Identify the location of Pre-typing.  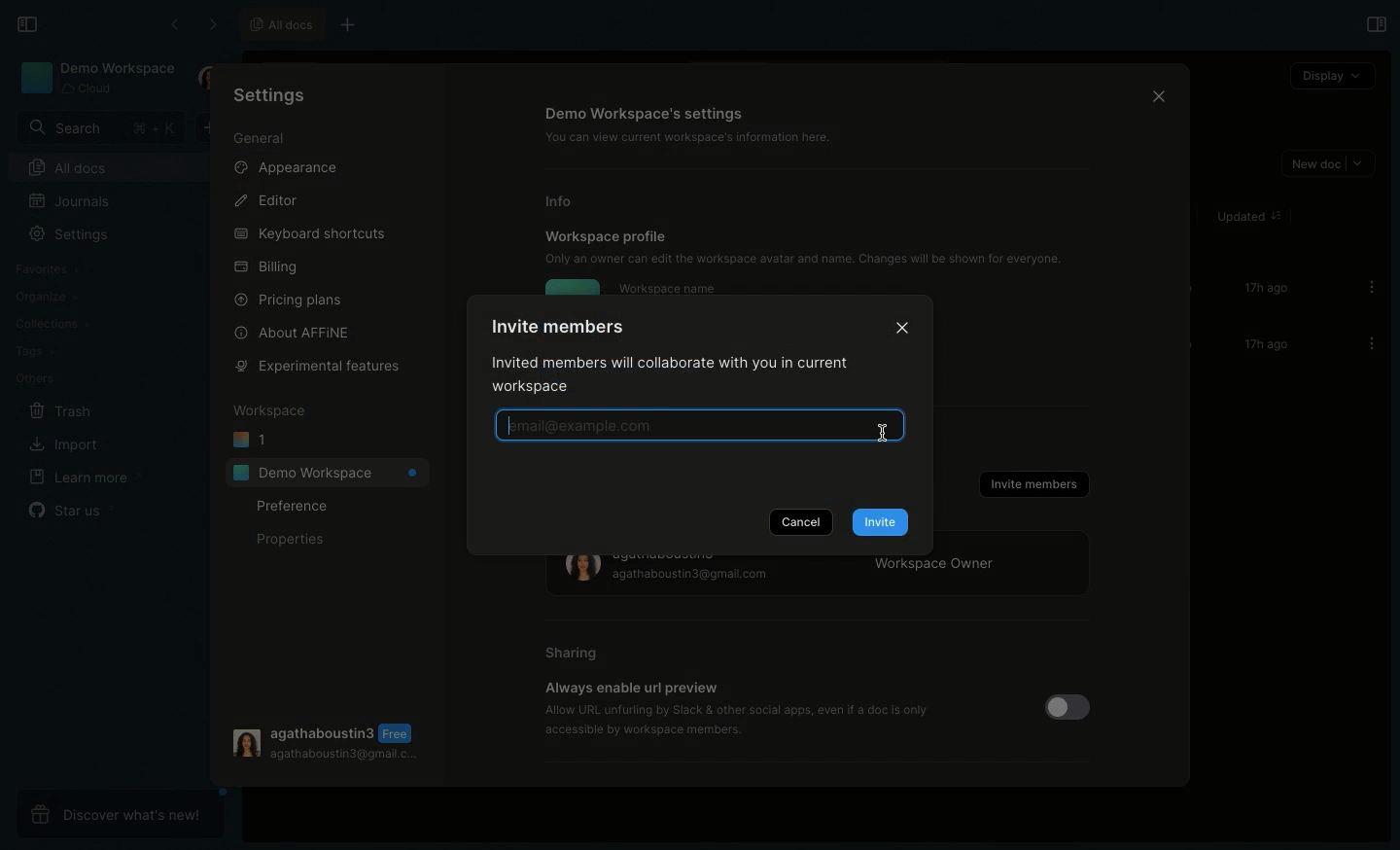
(698, 427).